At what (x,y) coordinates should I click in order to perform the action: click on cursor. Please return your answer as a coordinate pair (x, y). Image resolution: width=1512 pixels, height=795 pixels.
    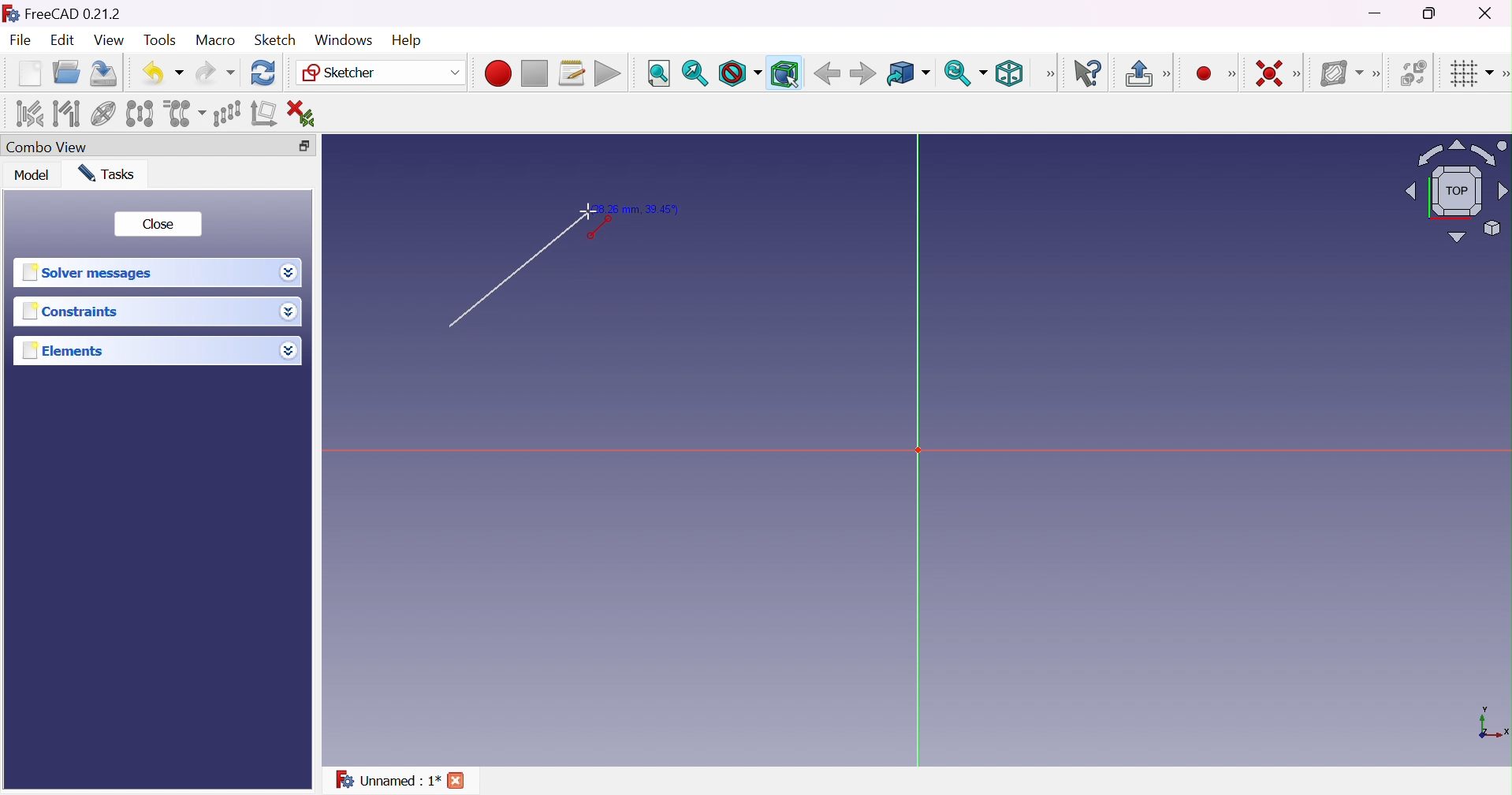
    Looking at the image, I should click on (598, 213).